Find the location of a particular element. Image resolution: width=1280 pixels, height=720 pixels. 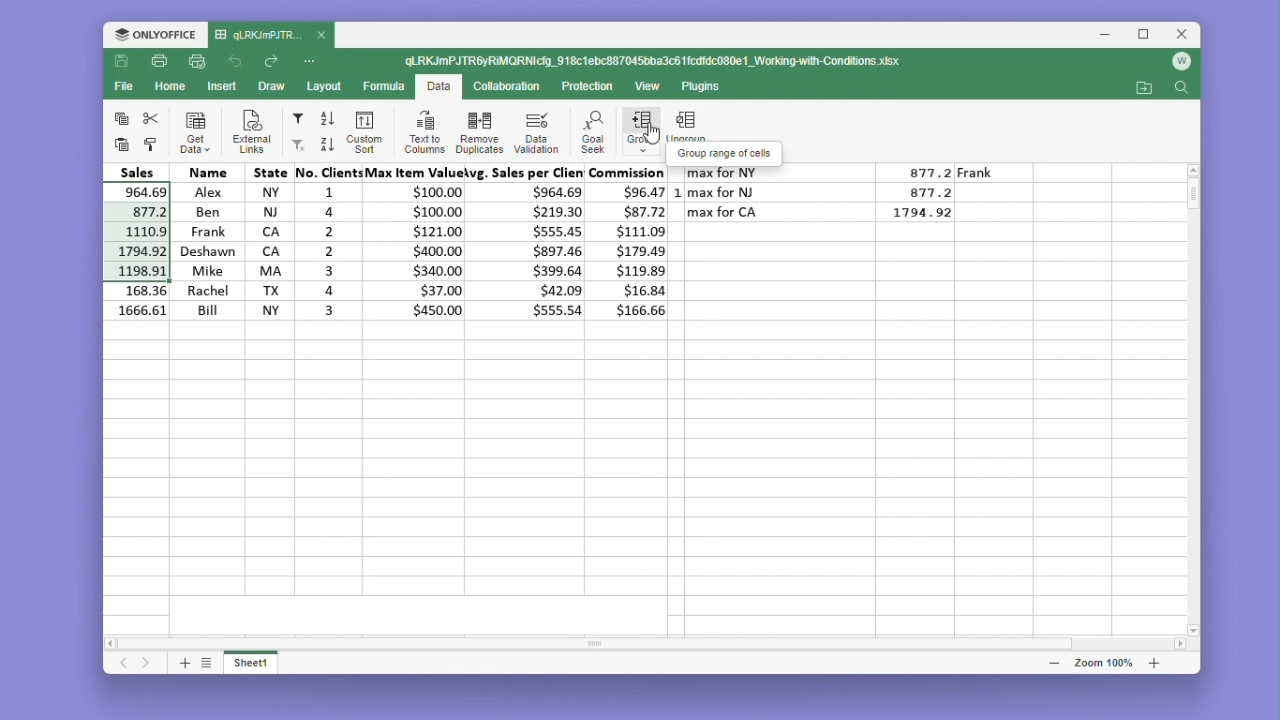

selected cells is located at coordinates (142, 232).